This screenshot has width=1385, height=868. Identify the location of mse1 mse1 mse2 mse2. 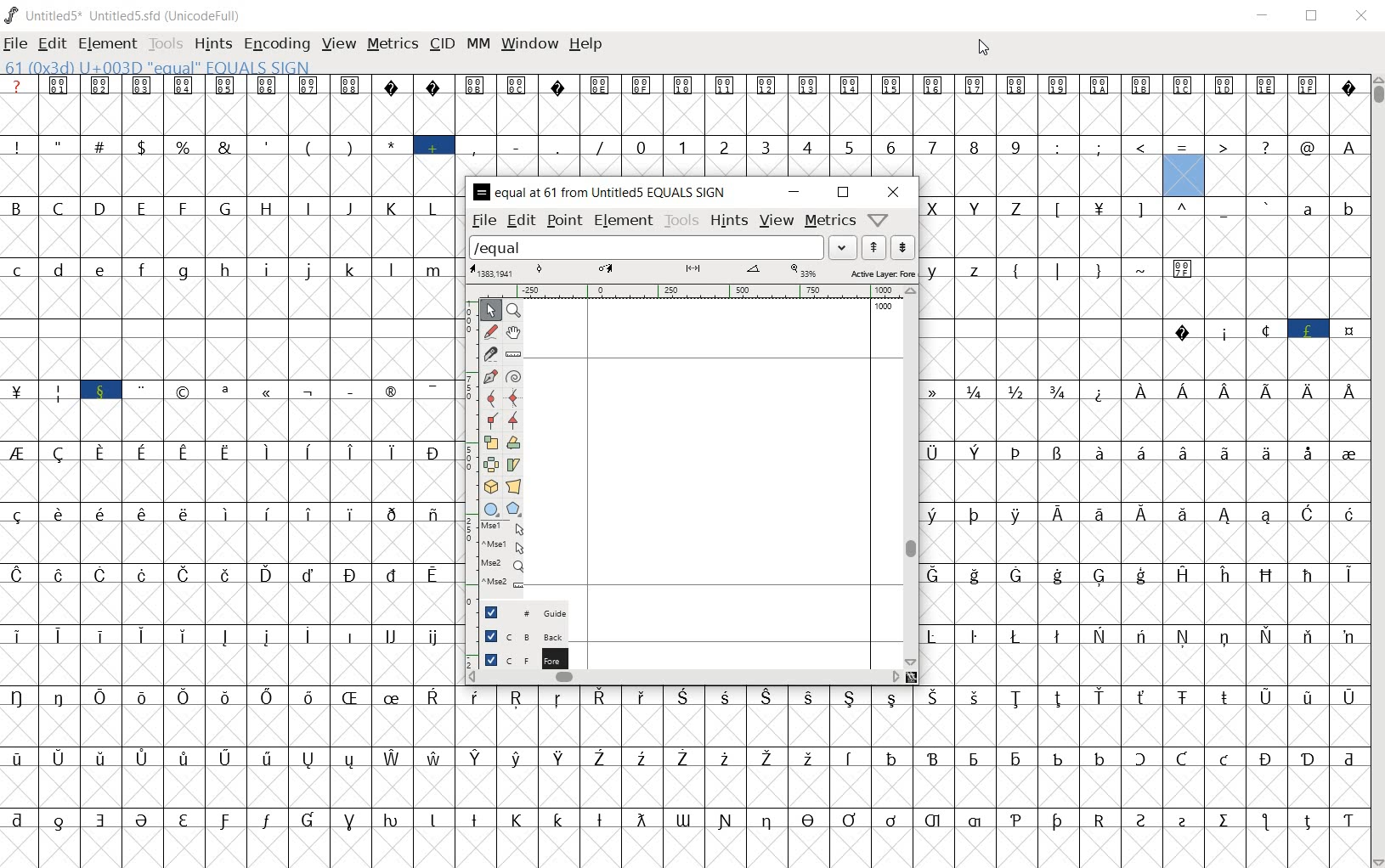
(500, 558).